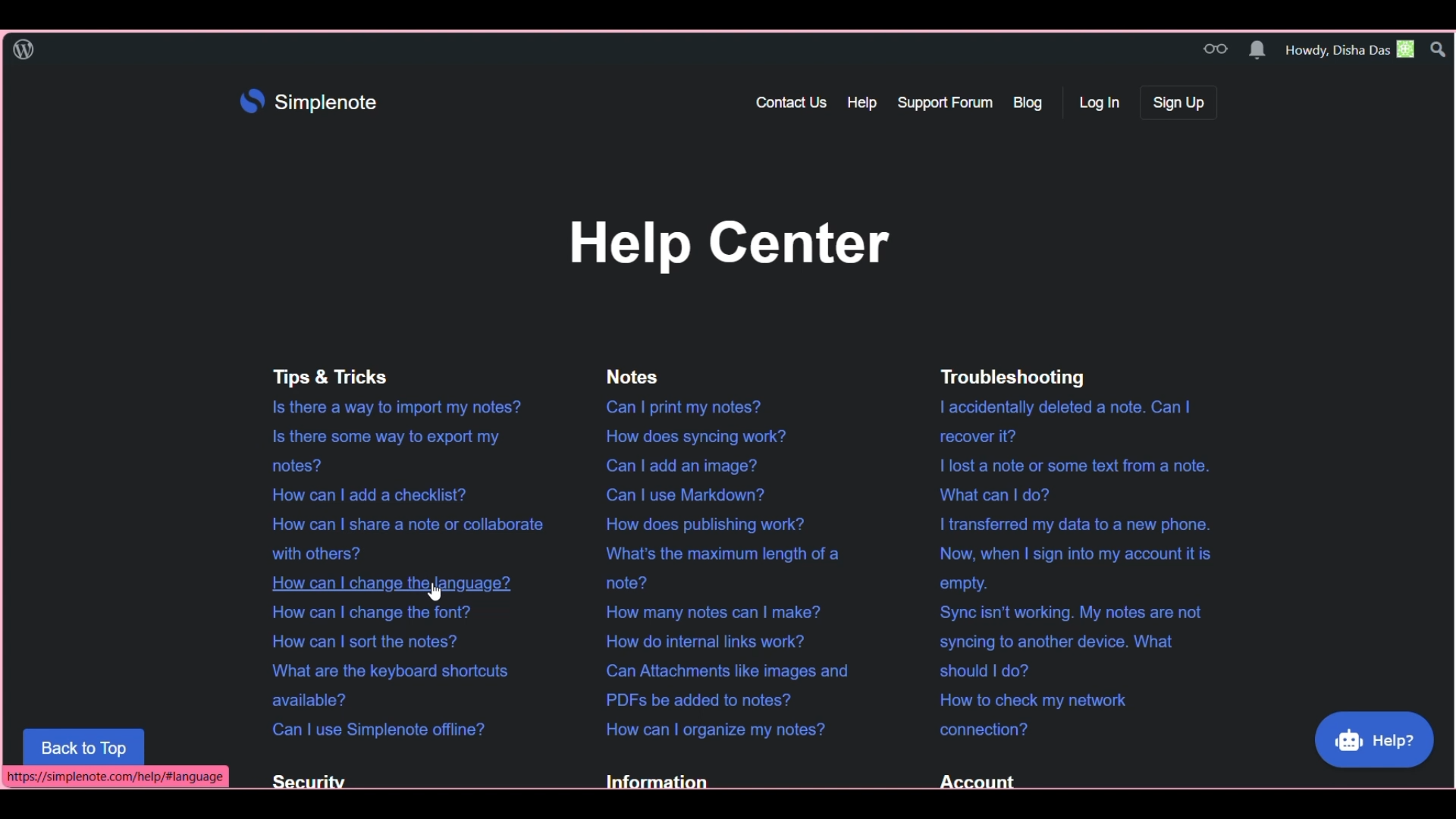 The height and width of the screenshot is (819, 1456). I want to click on Troubleshooting, so click(1009, 377).